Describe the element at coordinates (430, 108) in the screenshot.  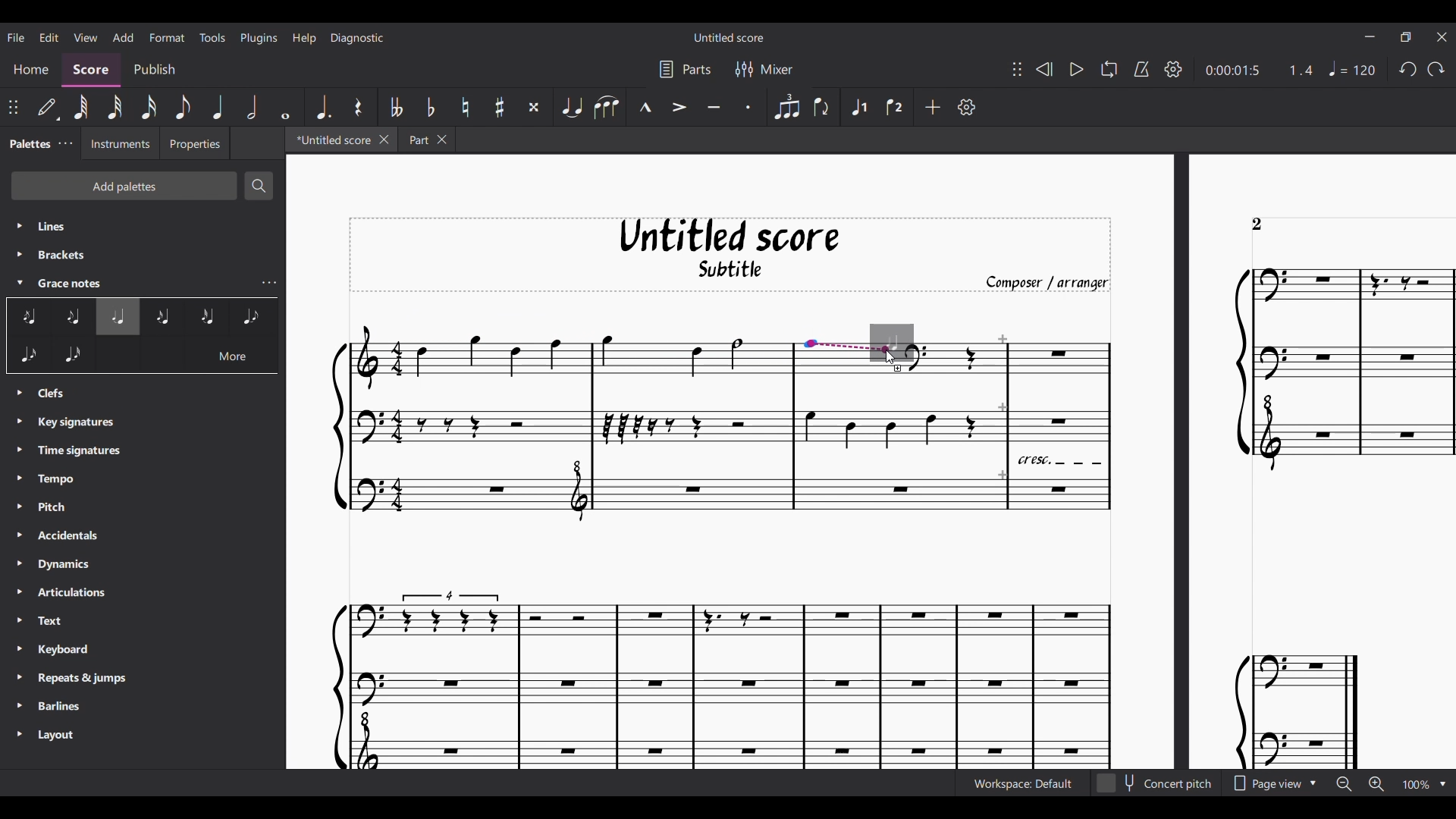
I see `Toggle flat` at that location.